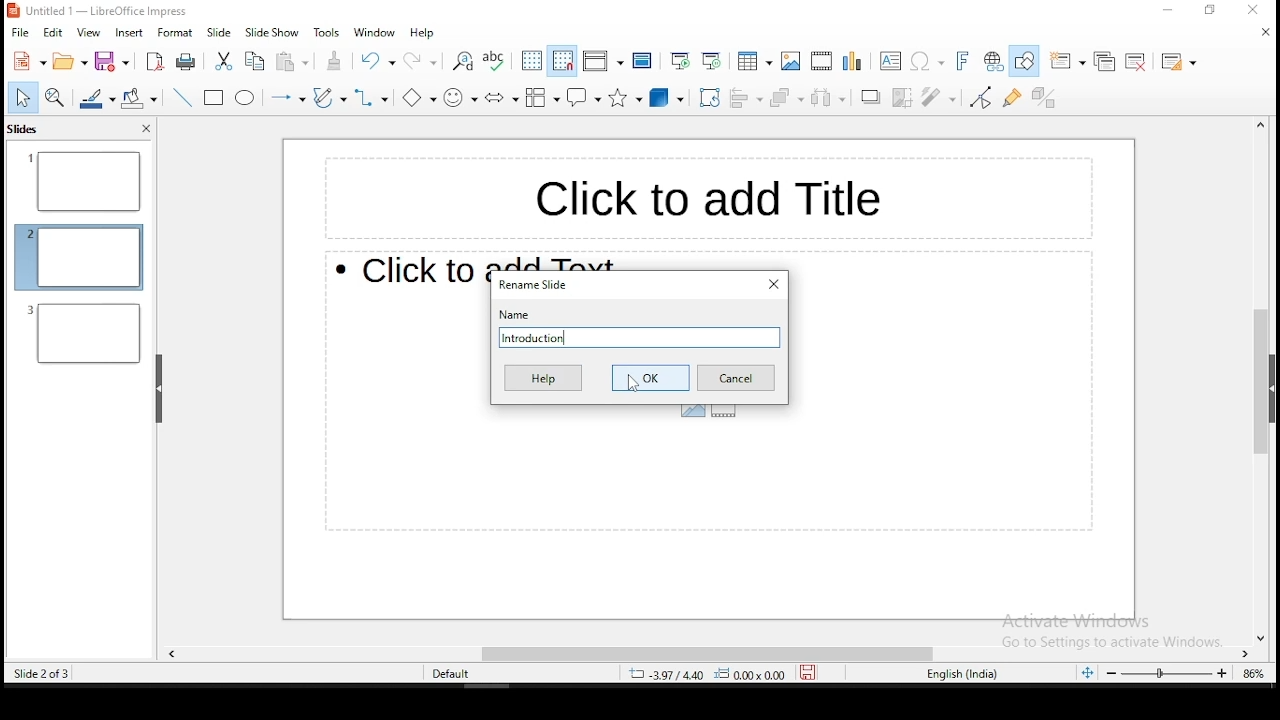 This screenshot has height=720, width=1280. What do you see at coordinates (212, 98) in the screenshot?
I see `rectangle tool` at bounding box center [212, 98].